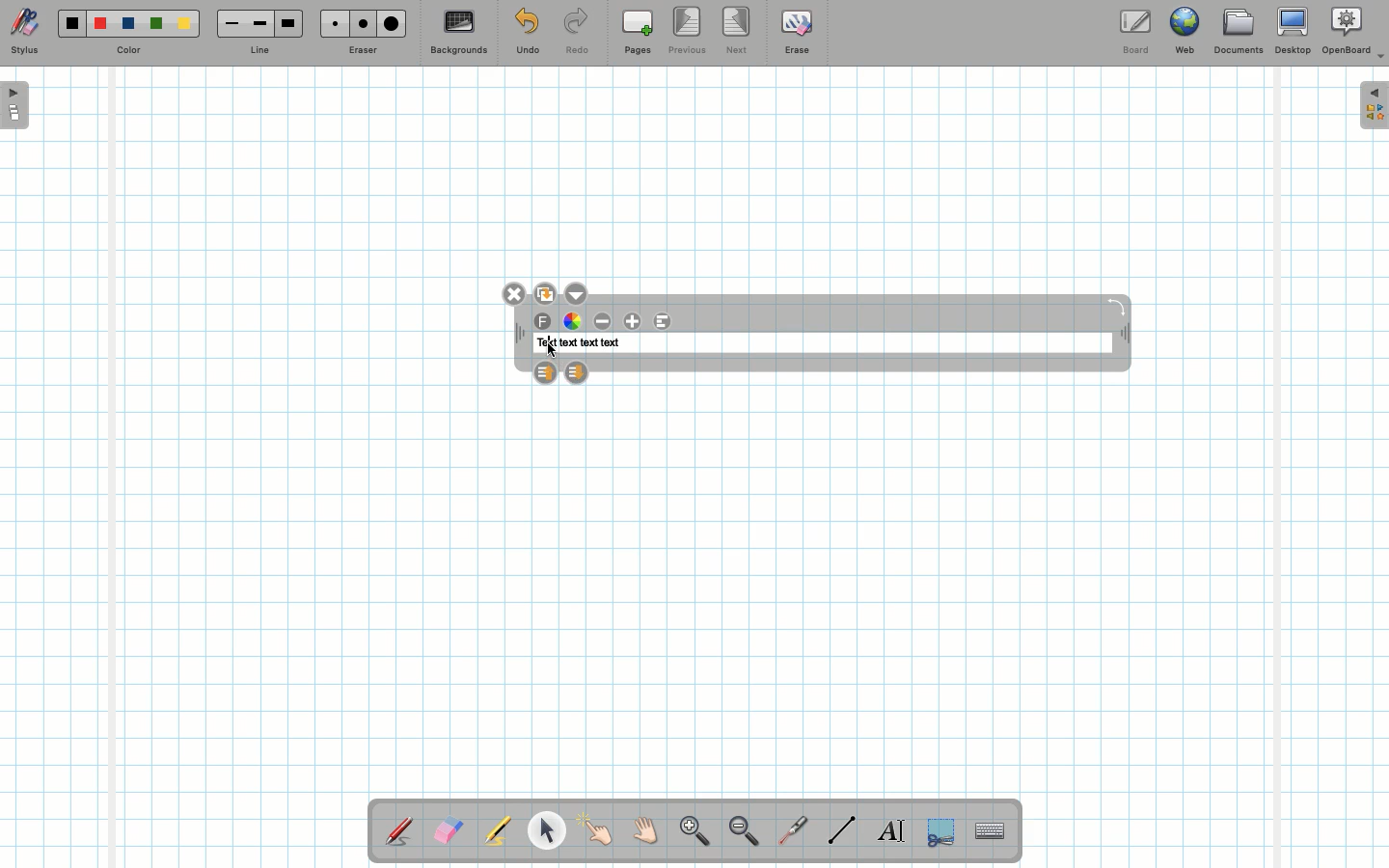  What do you see at coordinates (546, 830) in the screenshot?
I see `Pointer` at bounding box center [546, 830].